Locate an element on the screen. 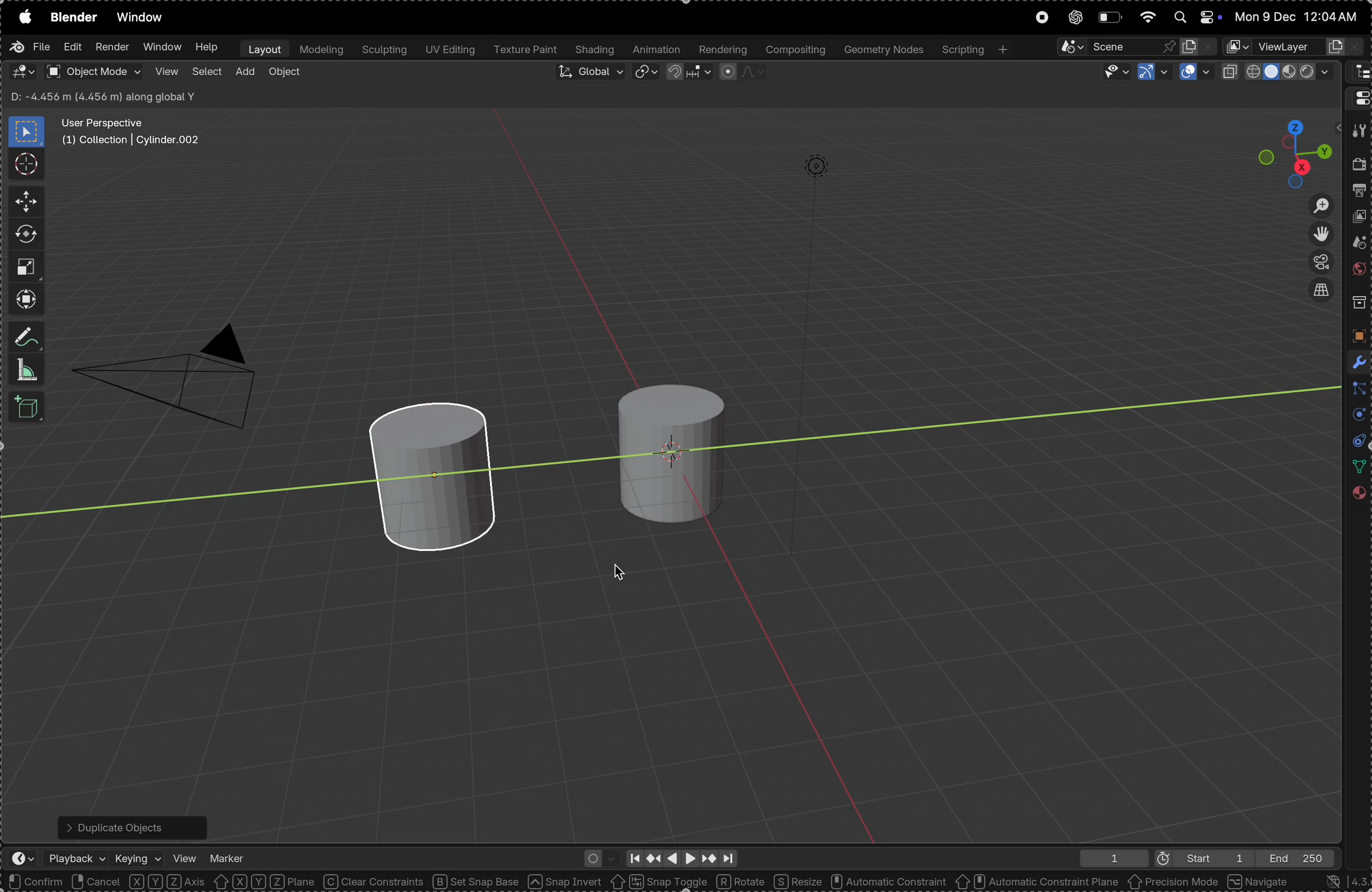 Image resolution: width=1372 pixels, height=892 pixels. new scene is located at coordinates (1198, 44).